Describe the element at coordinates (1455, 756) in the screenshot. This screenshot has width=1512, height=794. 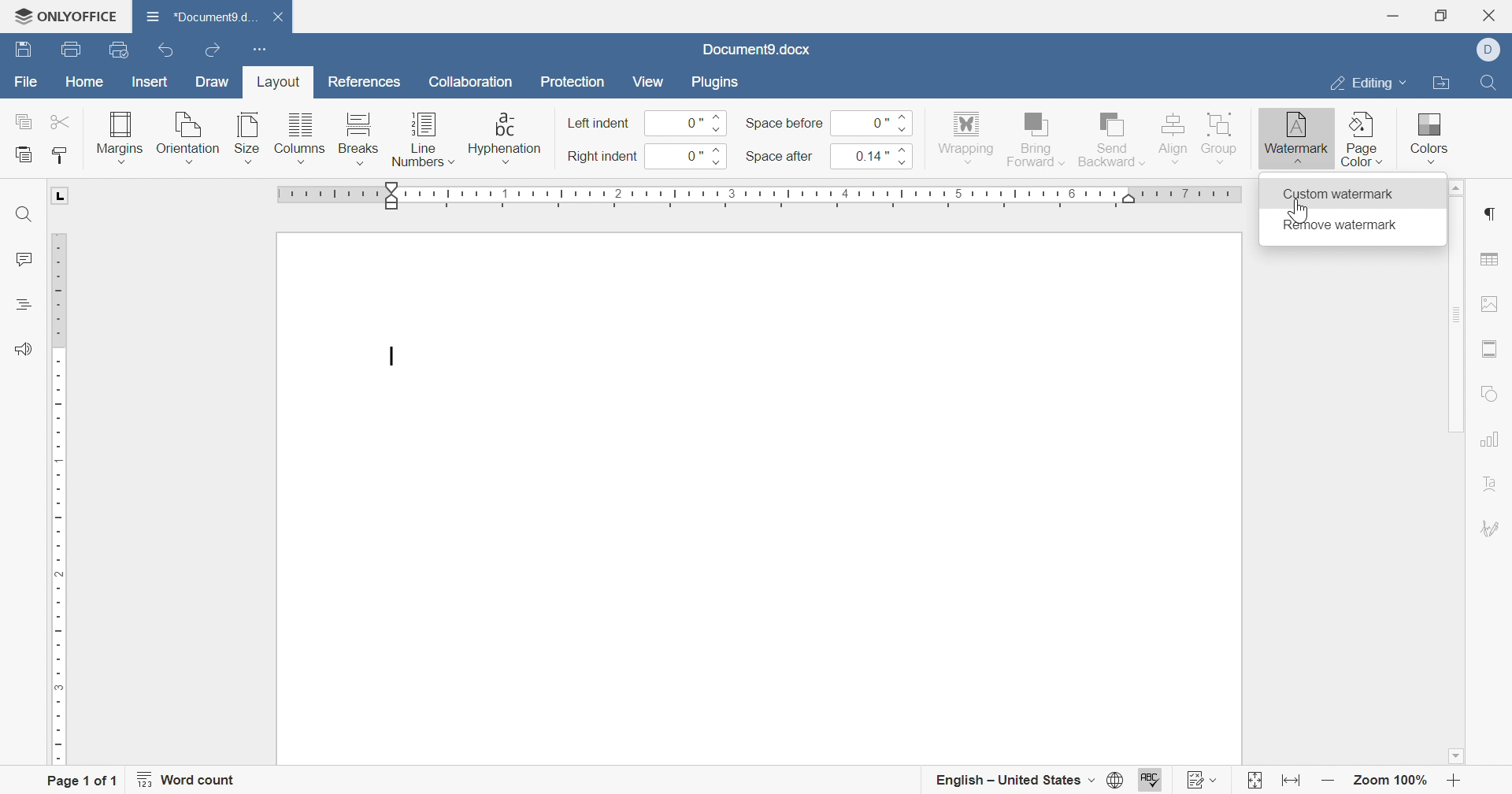
I see `scroll down` at that location.